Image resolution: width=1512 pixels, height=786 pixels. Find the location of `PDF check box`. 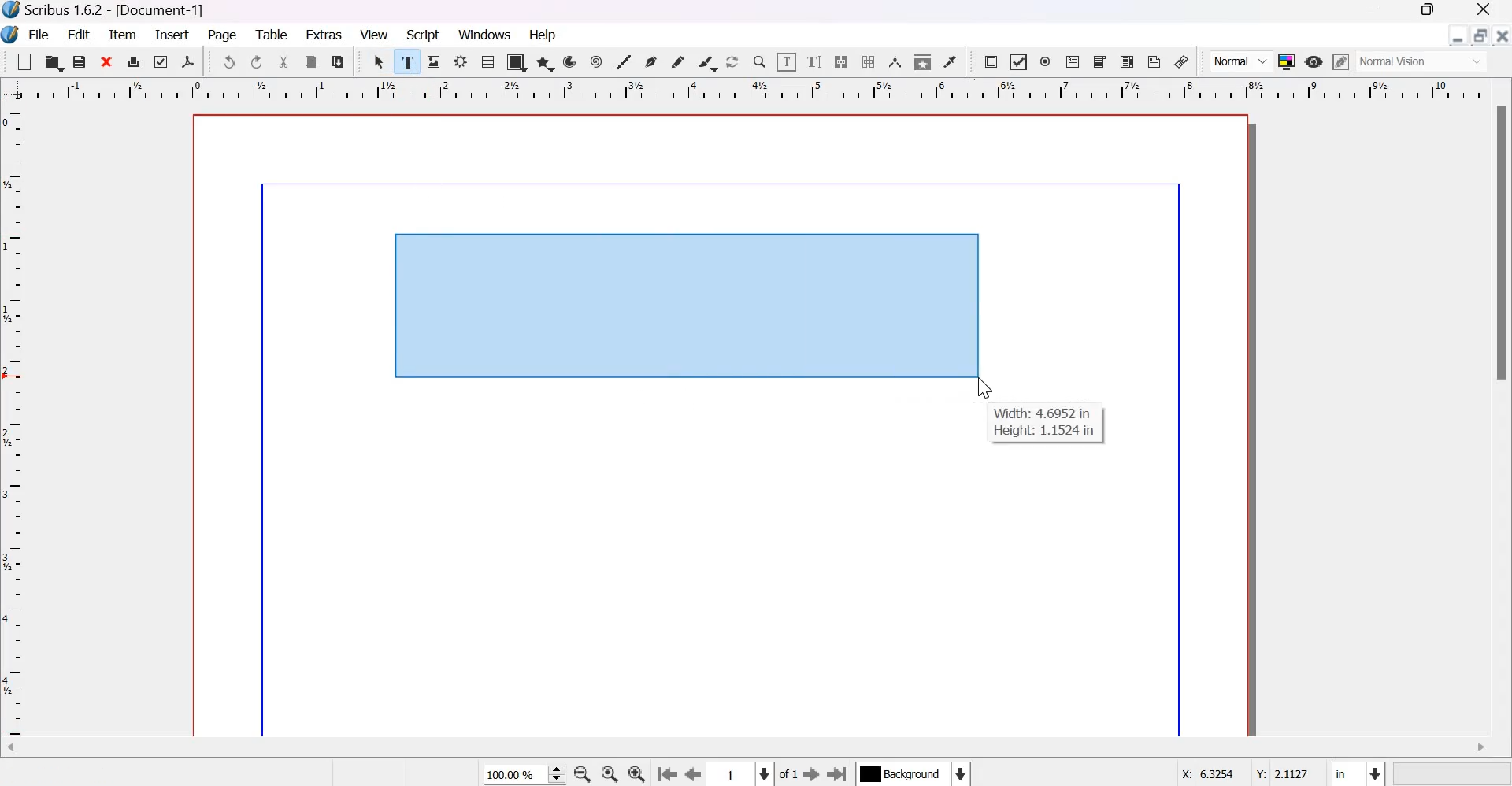

PDF check box is located at coordinates (1017, 62).